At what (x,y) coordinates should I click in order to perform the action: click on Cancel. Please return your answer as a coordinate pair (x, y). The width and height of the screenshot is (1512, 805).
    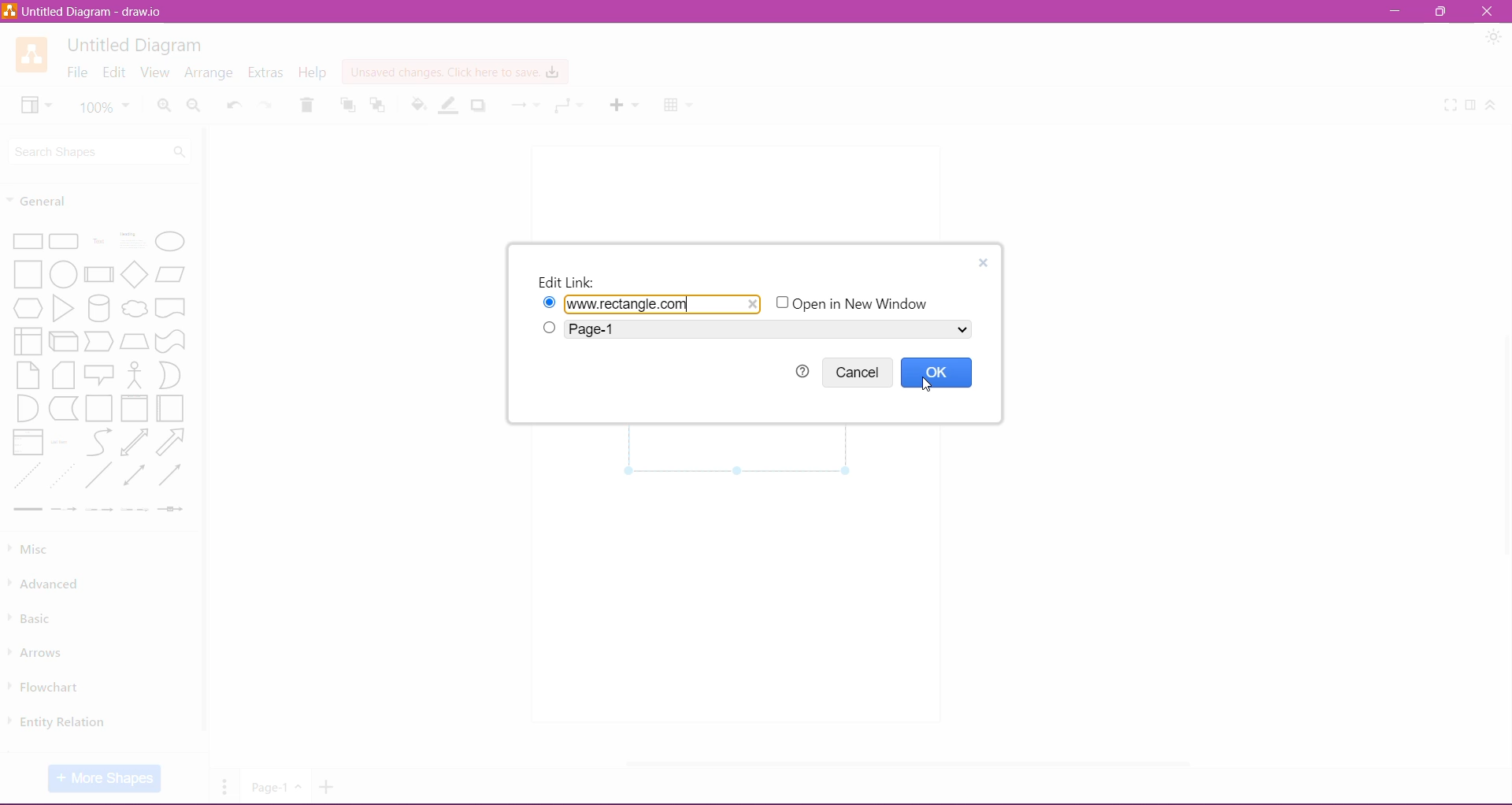
    Looking at the image, I should click on (860, 372).